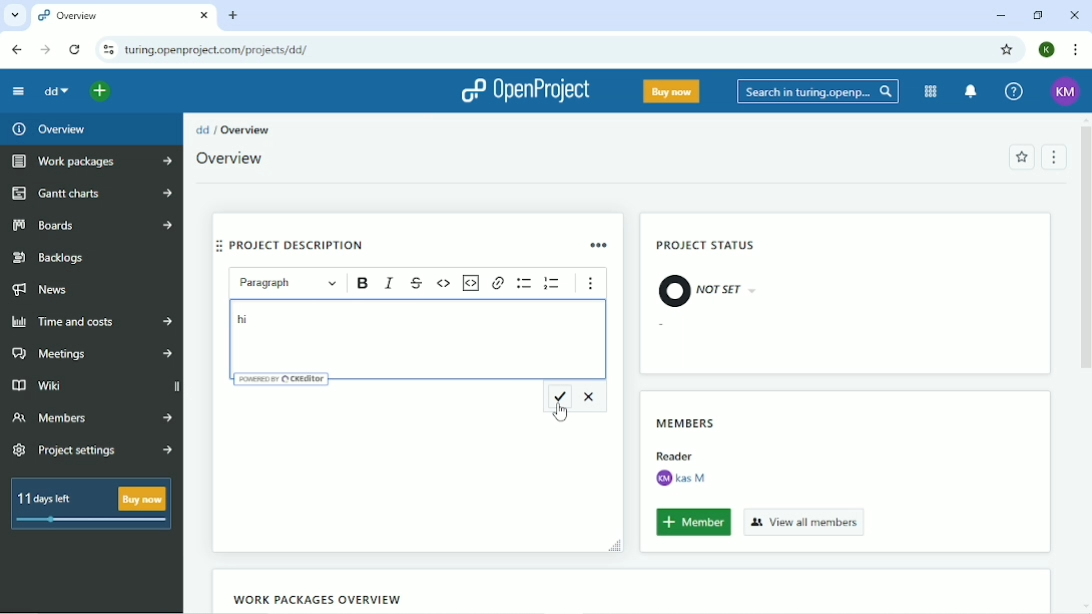 The image size is (1092, 614). I want to click on Italic, so click(390, 283).